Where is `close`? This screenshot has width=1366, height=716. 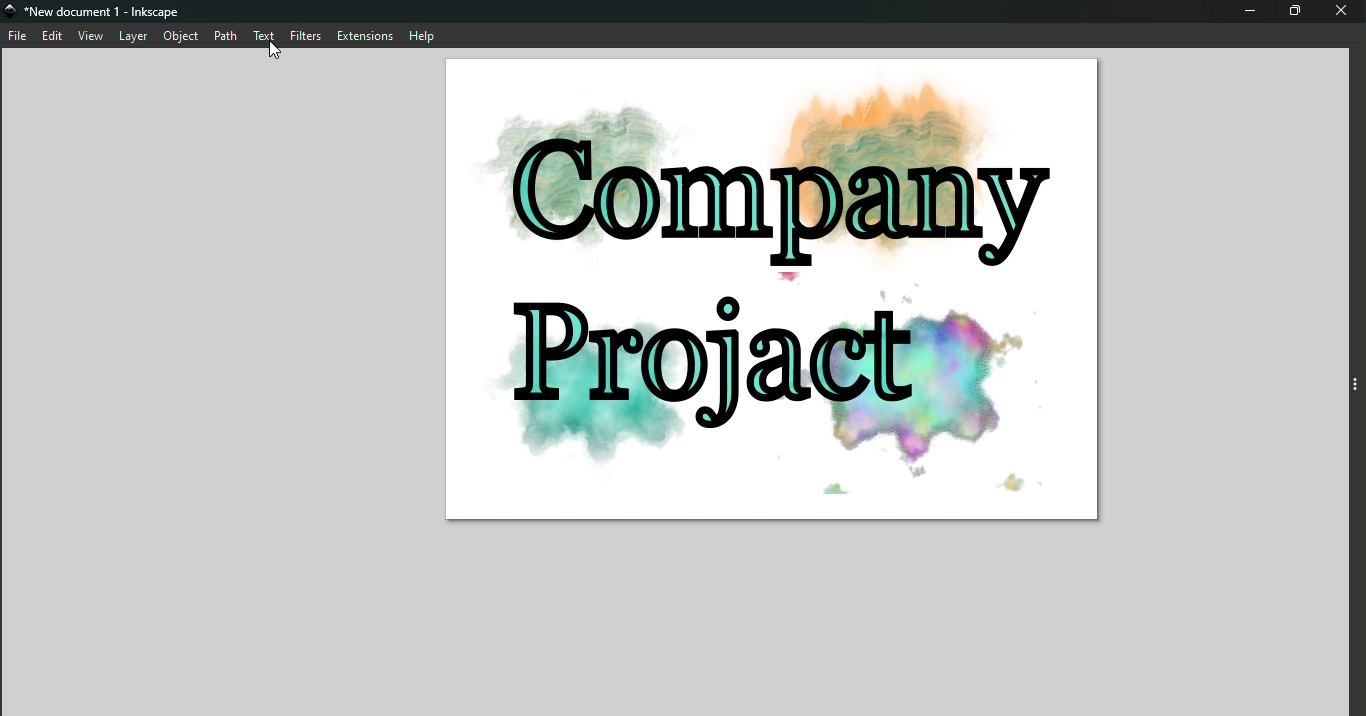
close is located at coordinates (1346, 11).